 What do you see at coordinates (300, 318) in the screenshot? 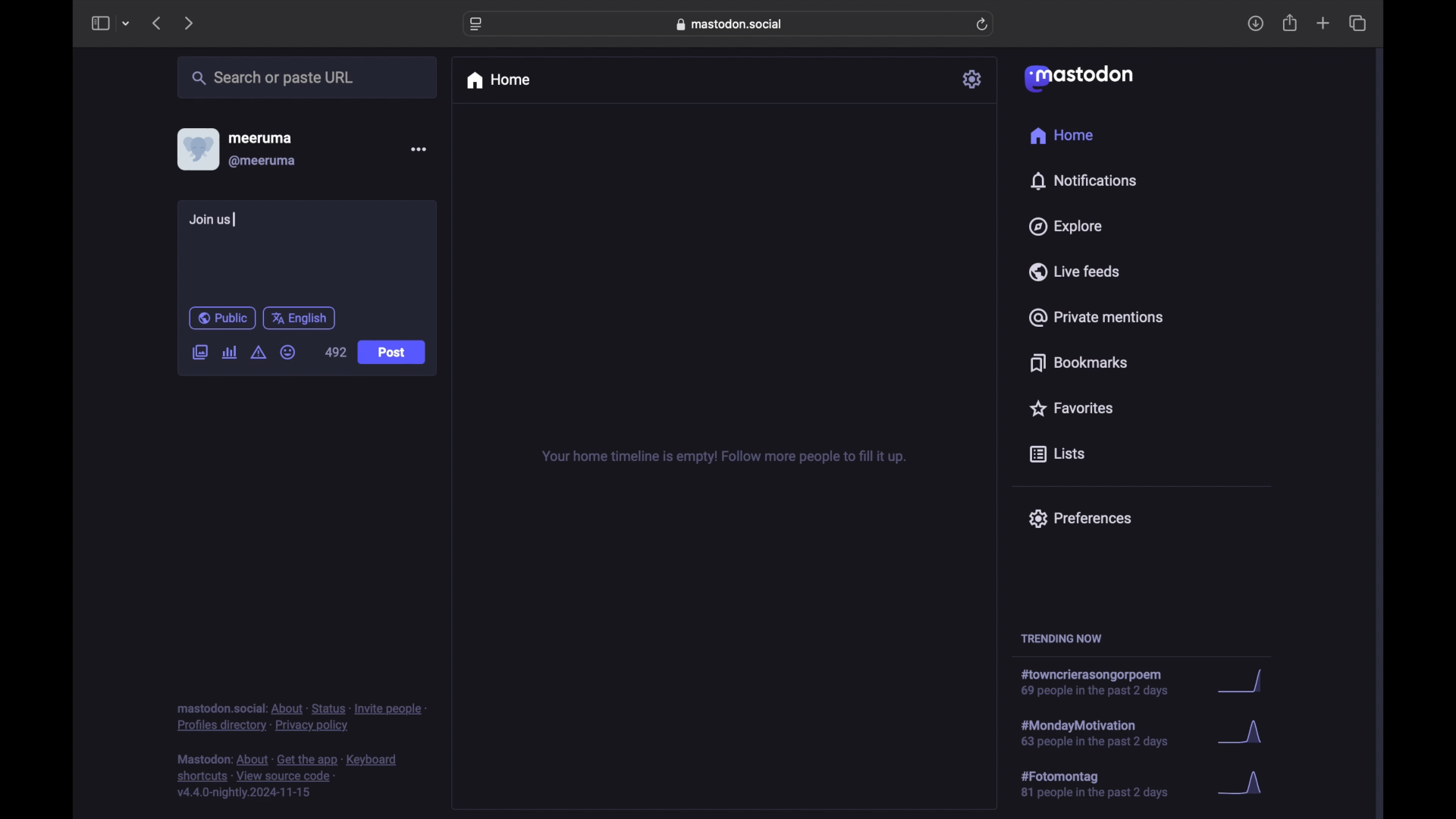
I see `english` at bounding box center [300, 318].